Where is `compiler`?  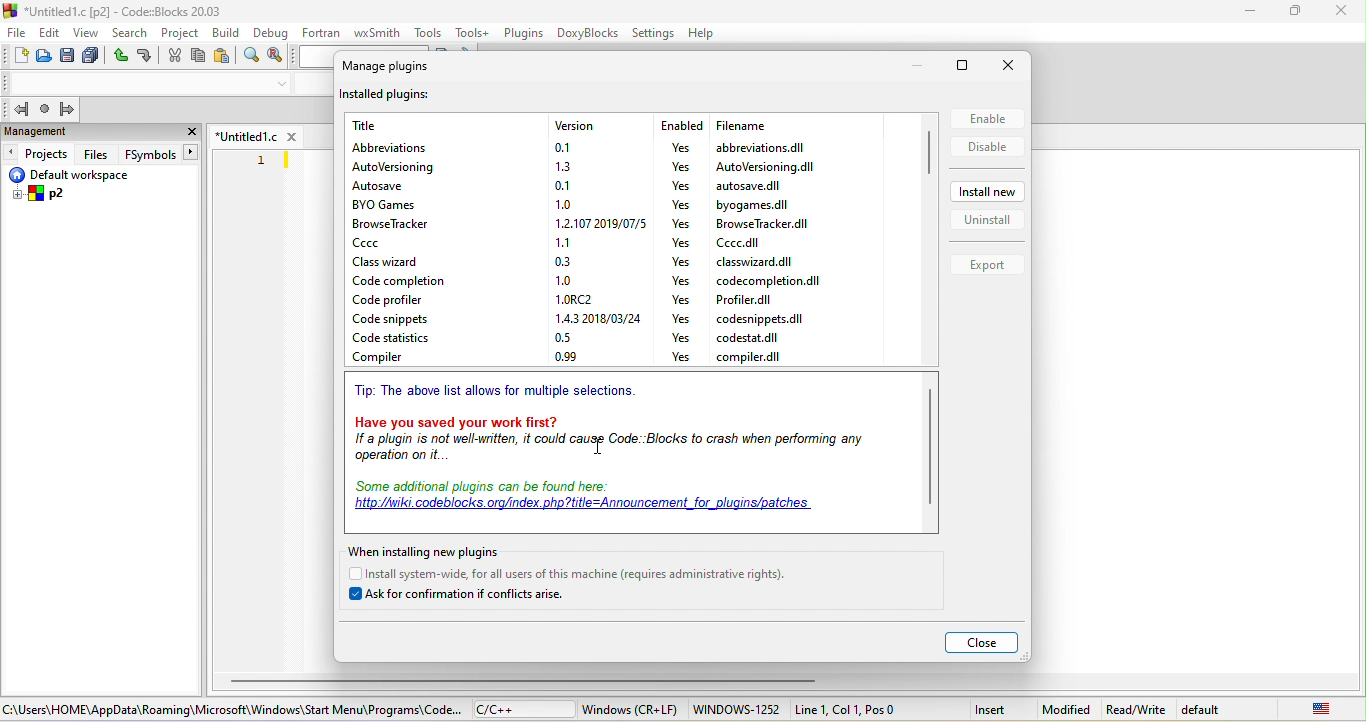
compiler is located at coordinates (402, 360).